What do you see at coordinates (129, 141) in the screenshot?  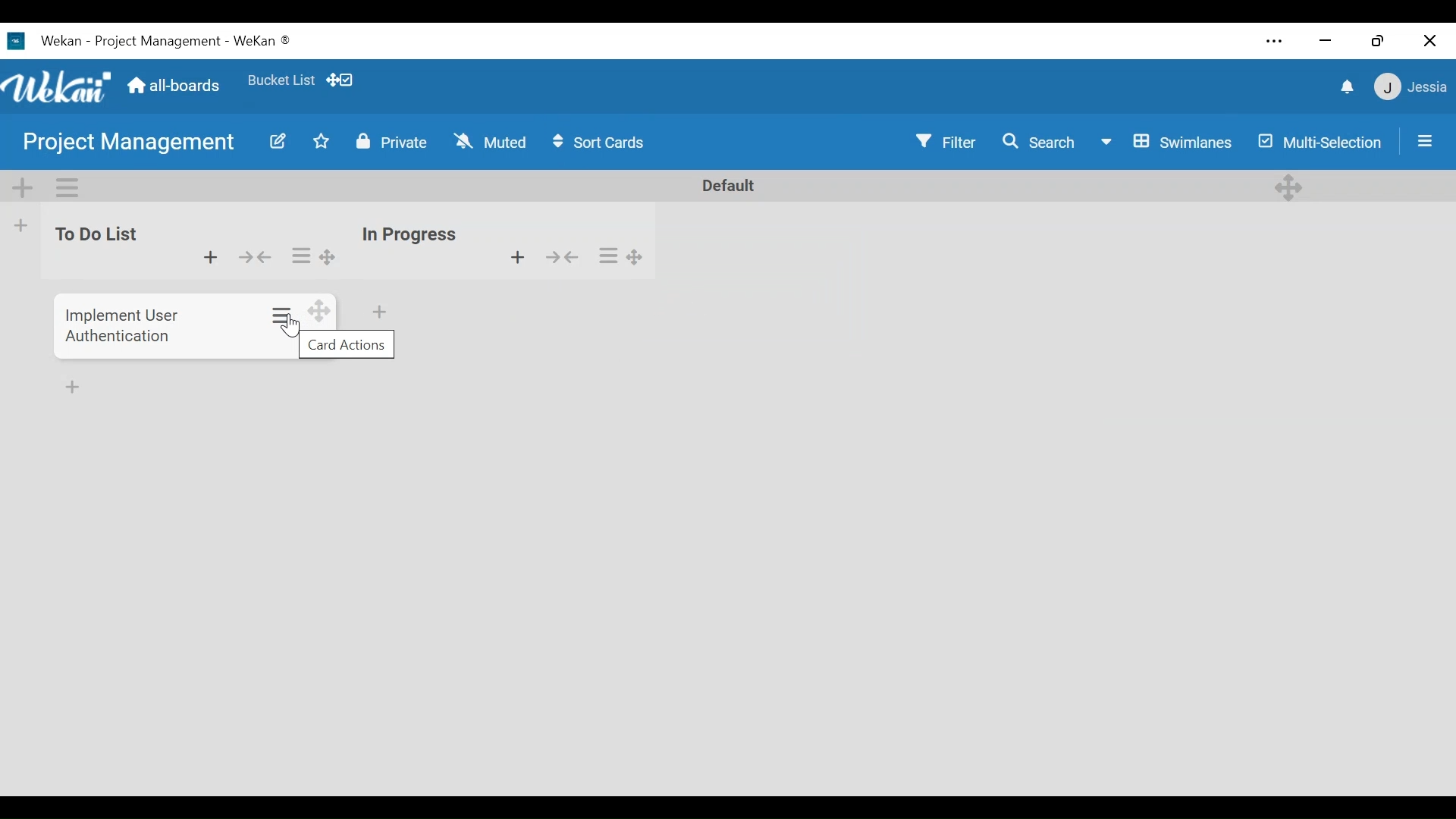 I see `Board Name` at bounding box center [129, 141].